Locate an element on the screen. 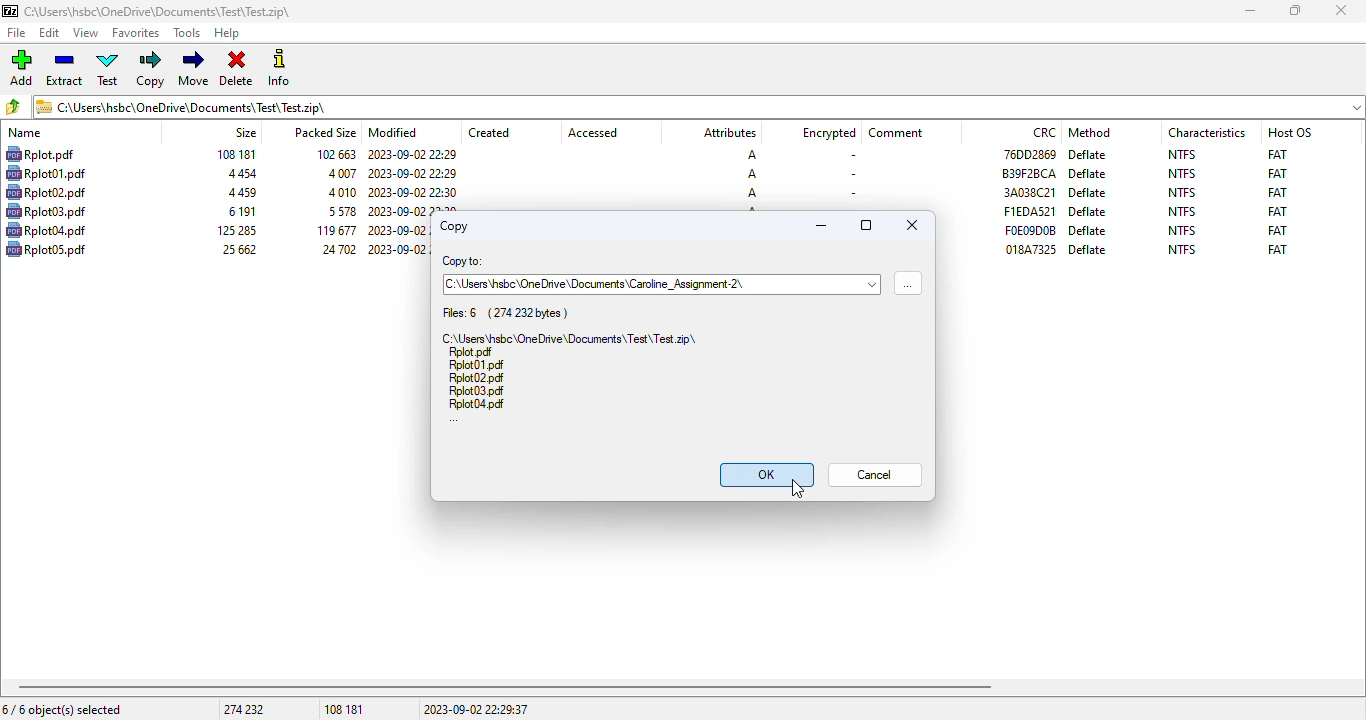  modified is located at coordinates (394, 132).